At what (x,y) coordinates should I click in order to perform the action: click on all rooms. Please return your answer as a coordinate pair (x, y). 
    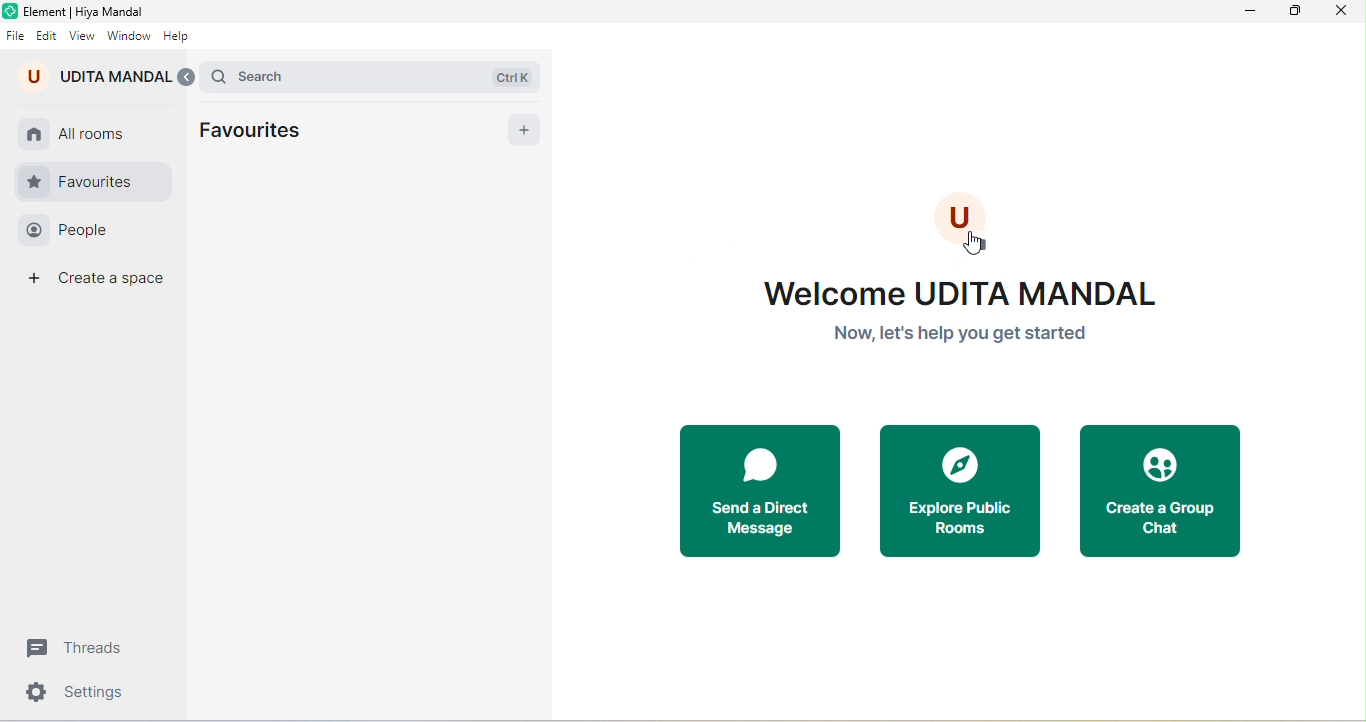
    Looking at the image, I should click on (83, 131).